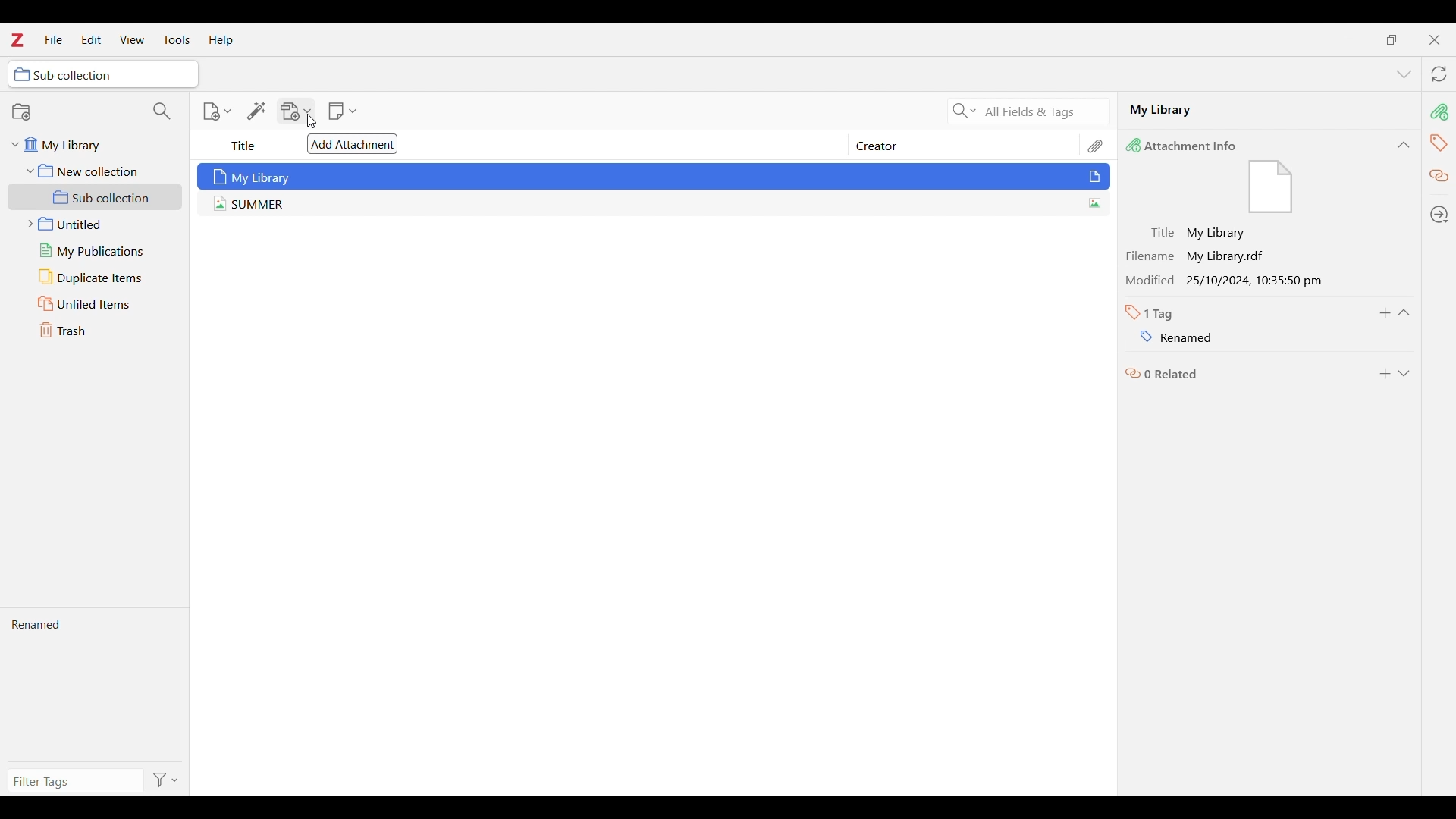  What do you see at coordinates (962, 110) in the screenshot?
I see `Search criteria options` at bounding box center [962, 110].